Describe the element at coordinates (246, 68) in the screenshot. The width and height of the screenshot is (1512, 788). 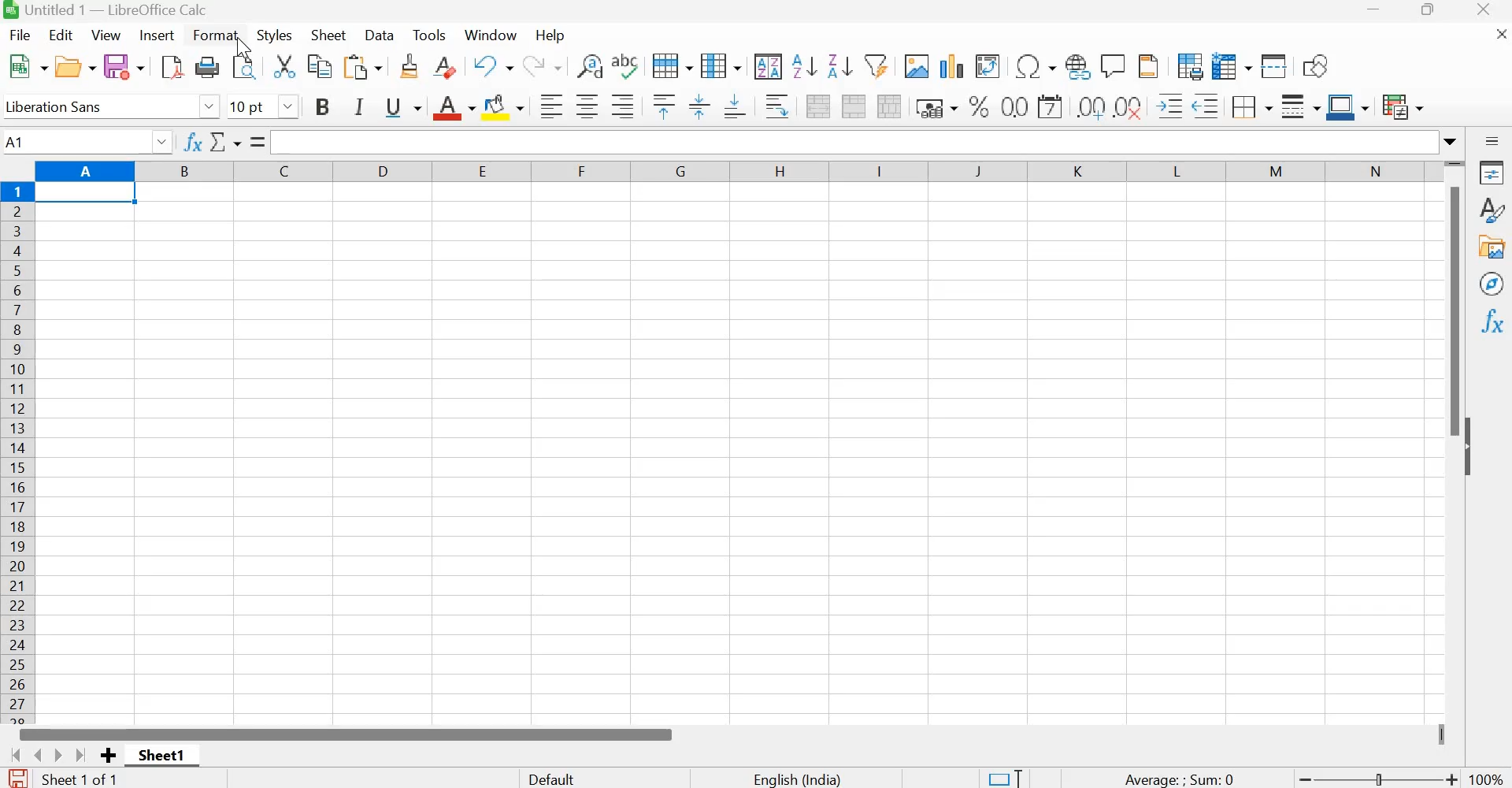
I see `Toggle print preview` at that location.